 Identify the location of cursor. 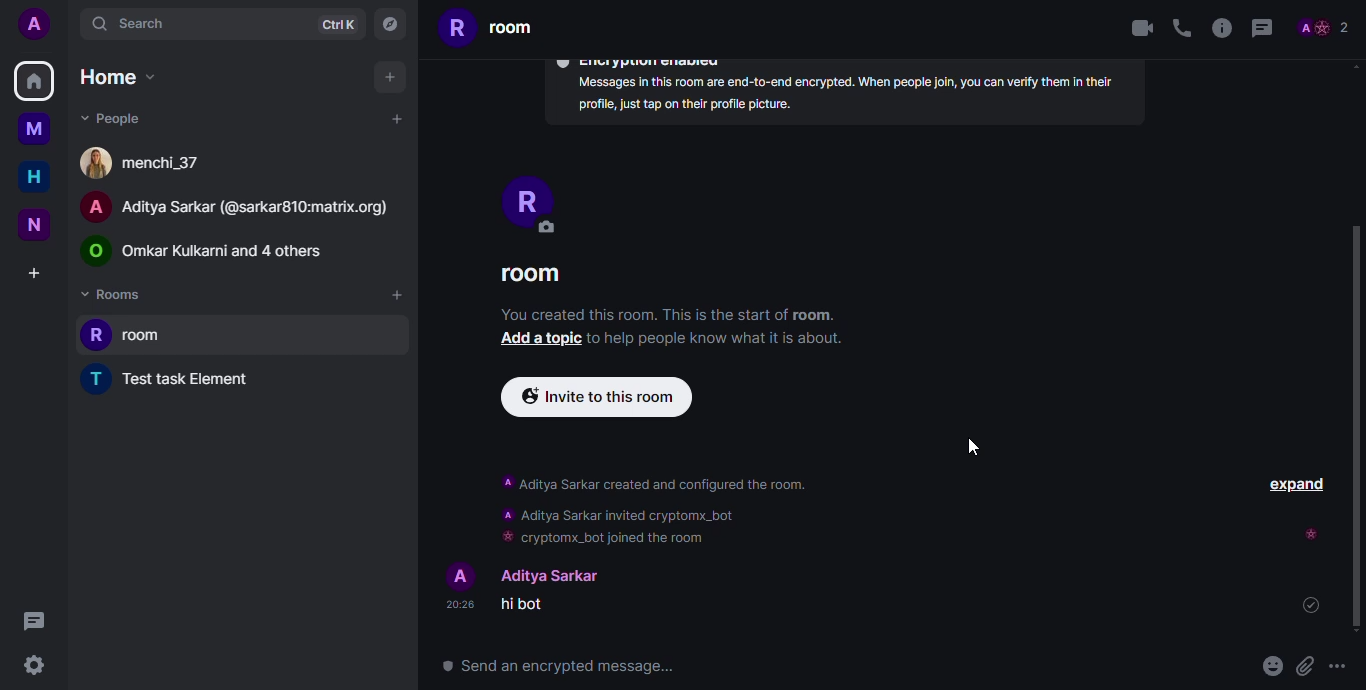
(976, 450).